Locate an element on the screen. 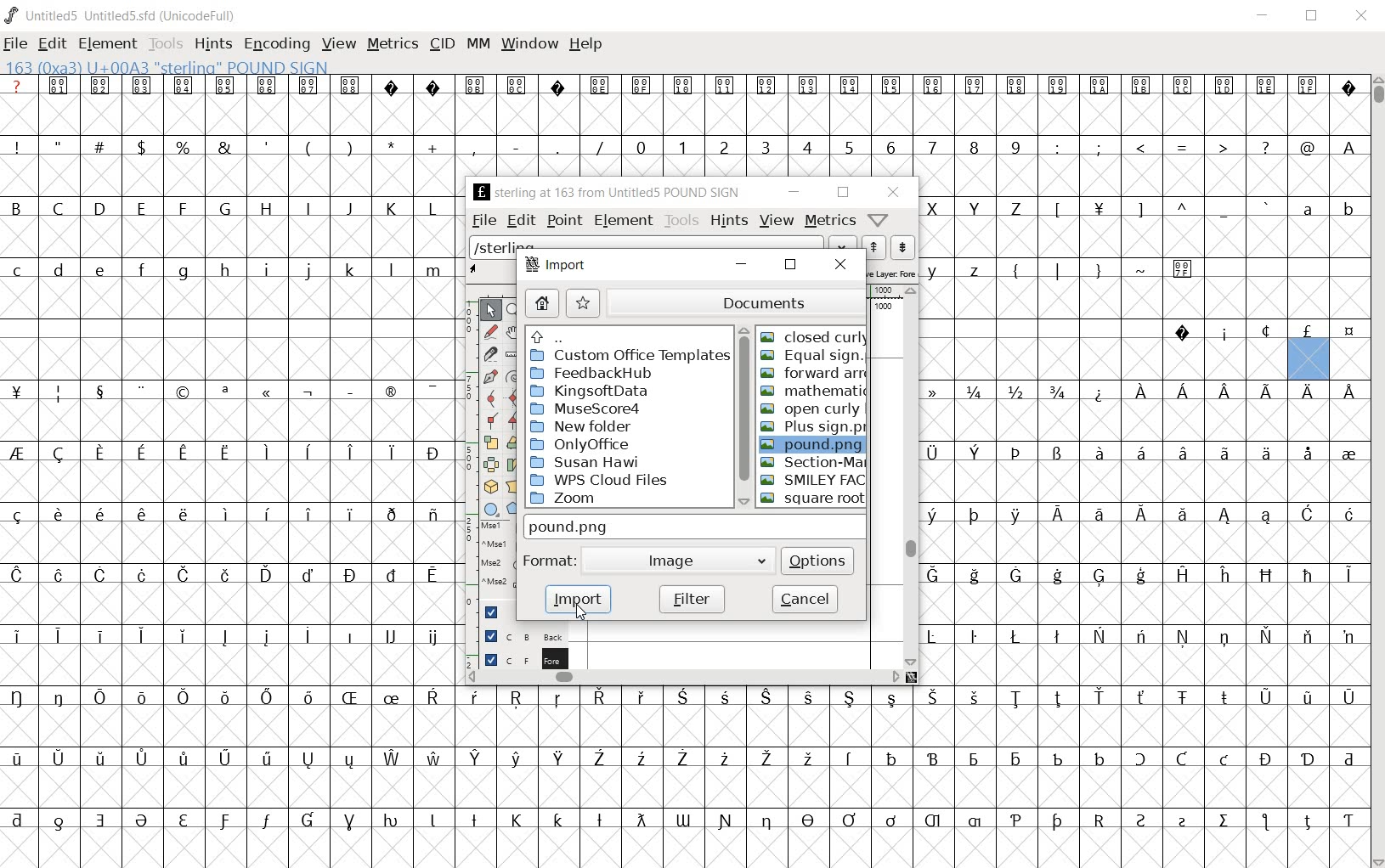  Symbol is located at coordinates (432, 699).